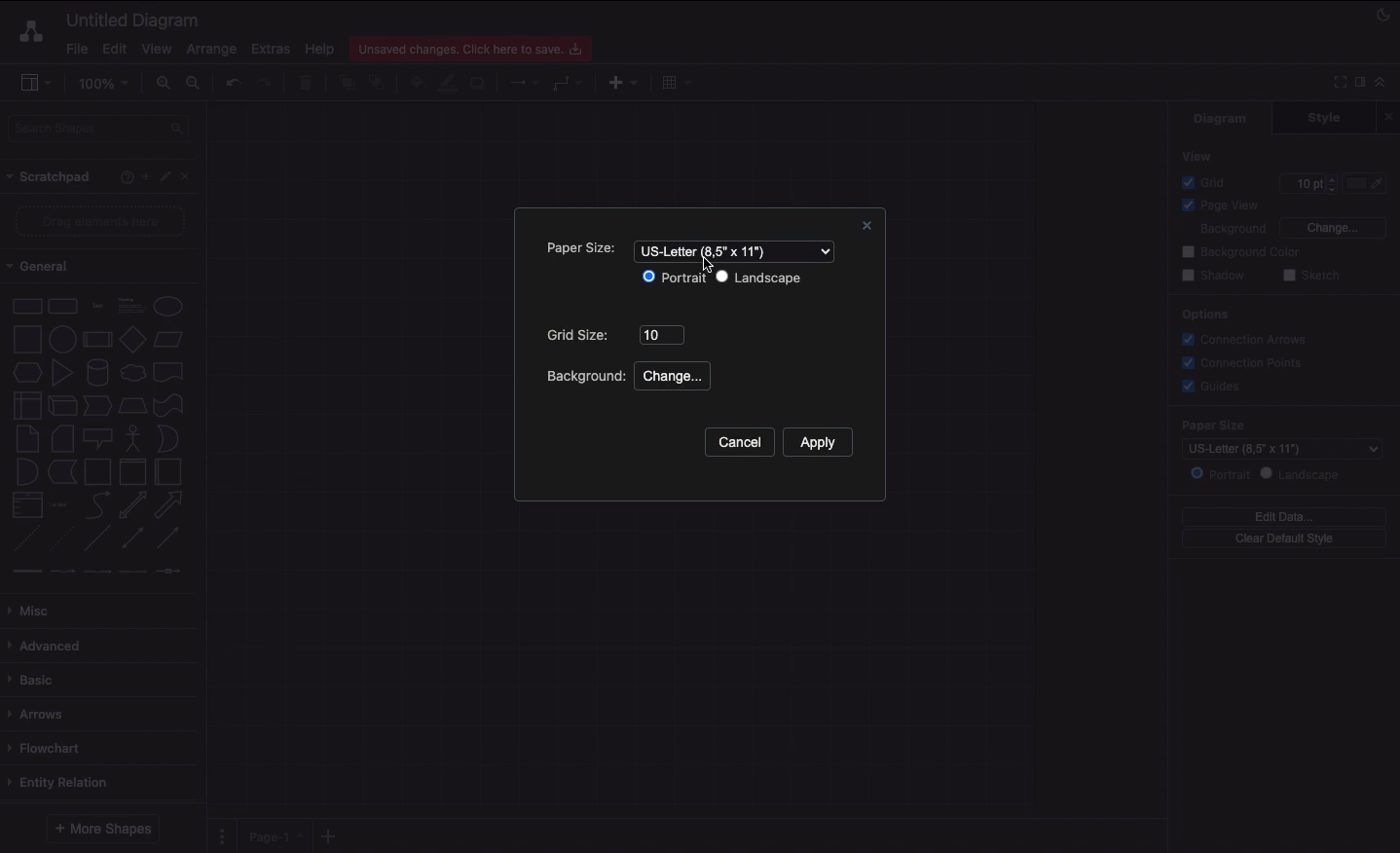  What do you see at coordinates (133, 470) in the screenshot?
I see `Vertical container` at bounding box center [133, 470].